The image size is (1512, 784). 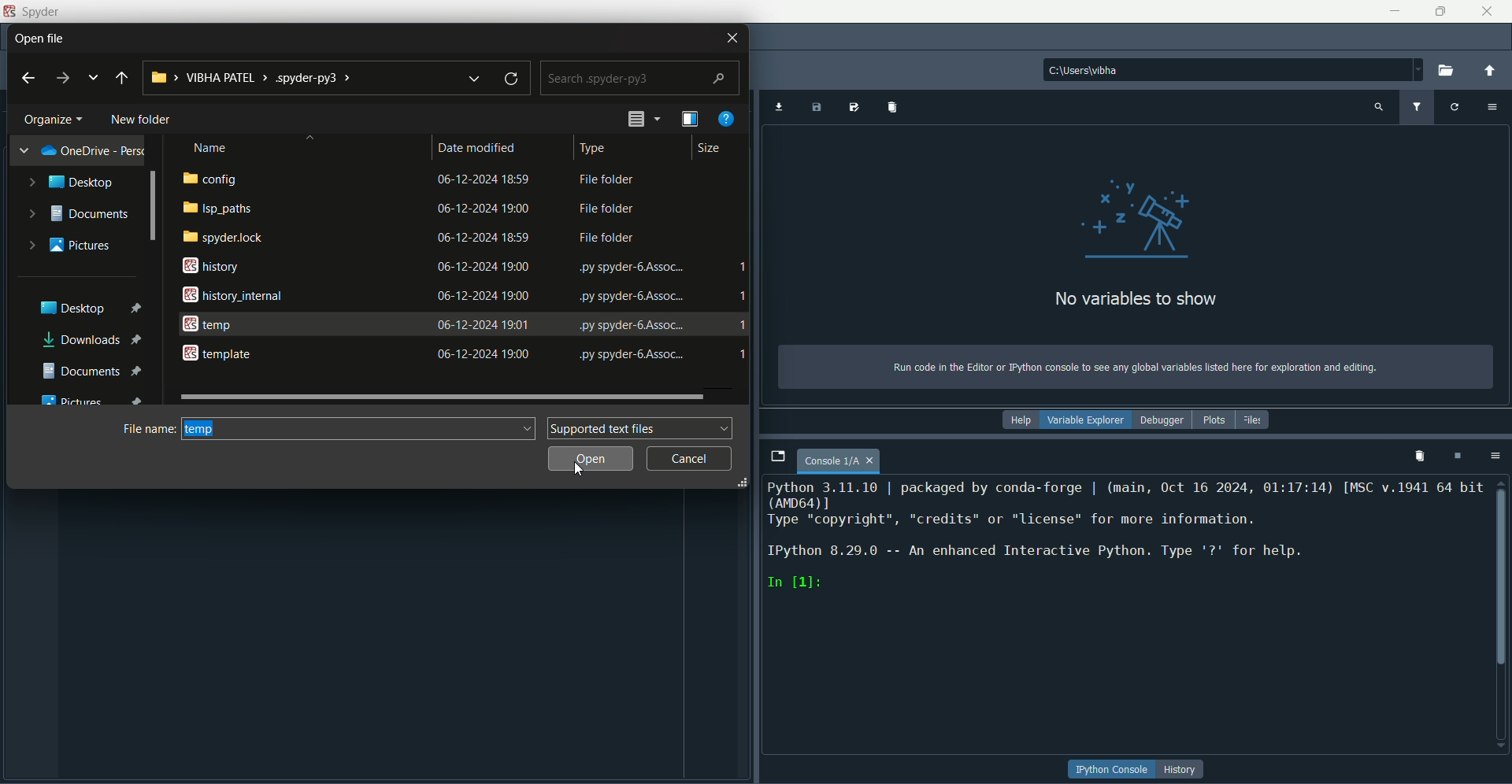 I want to click on text, so click(x=608, y=209).